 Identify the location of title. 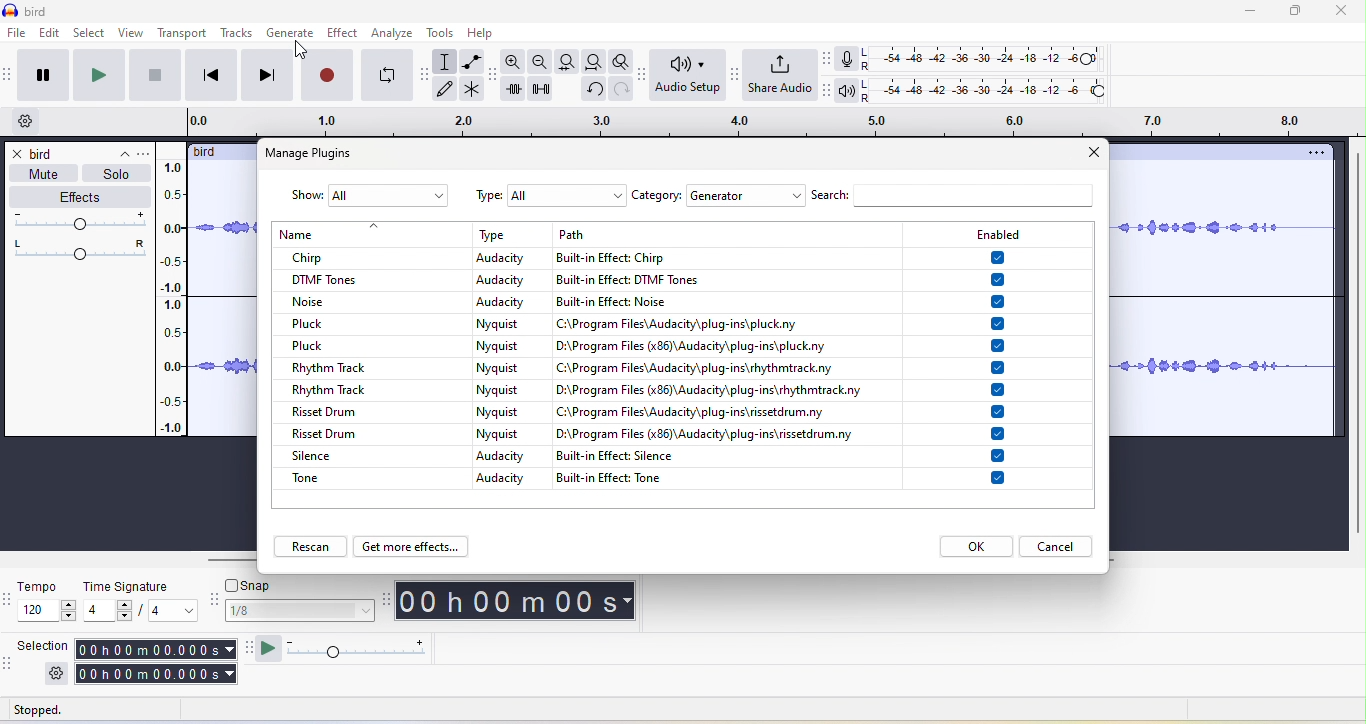
(30, 9).